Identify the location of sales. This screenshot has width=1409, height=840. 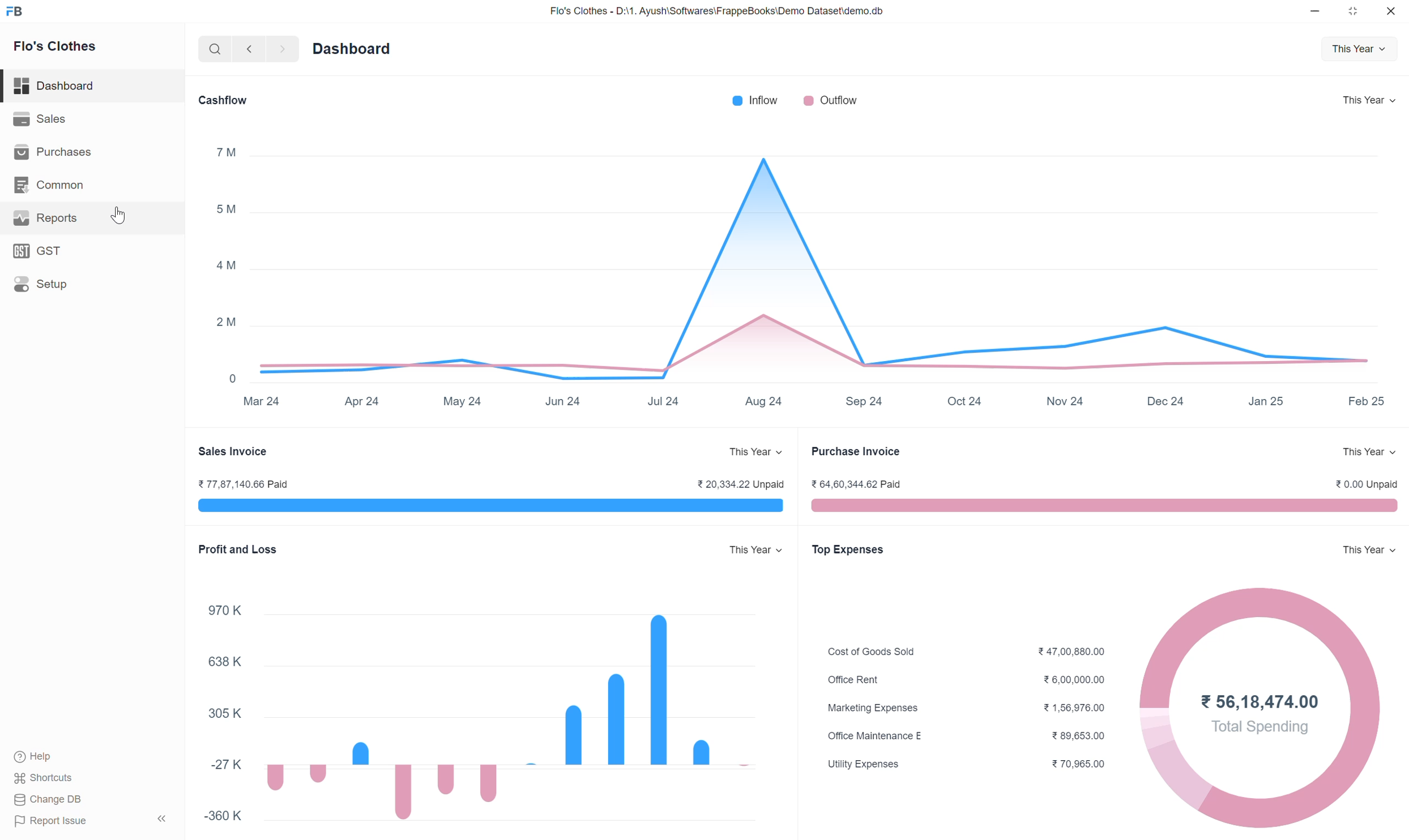
(89, 119).